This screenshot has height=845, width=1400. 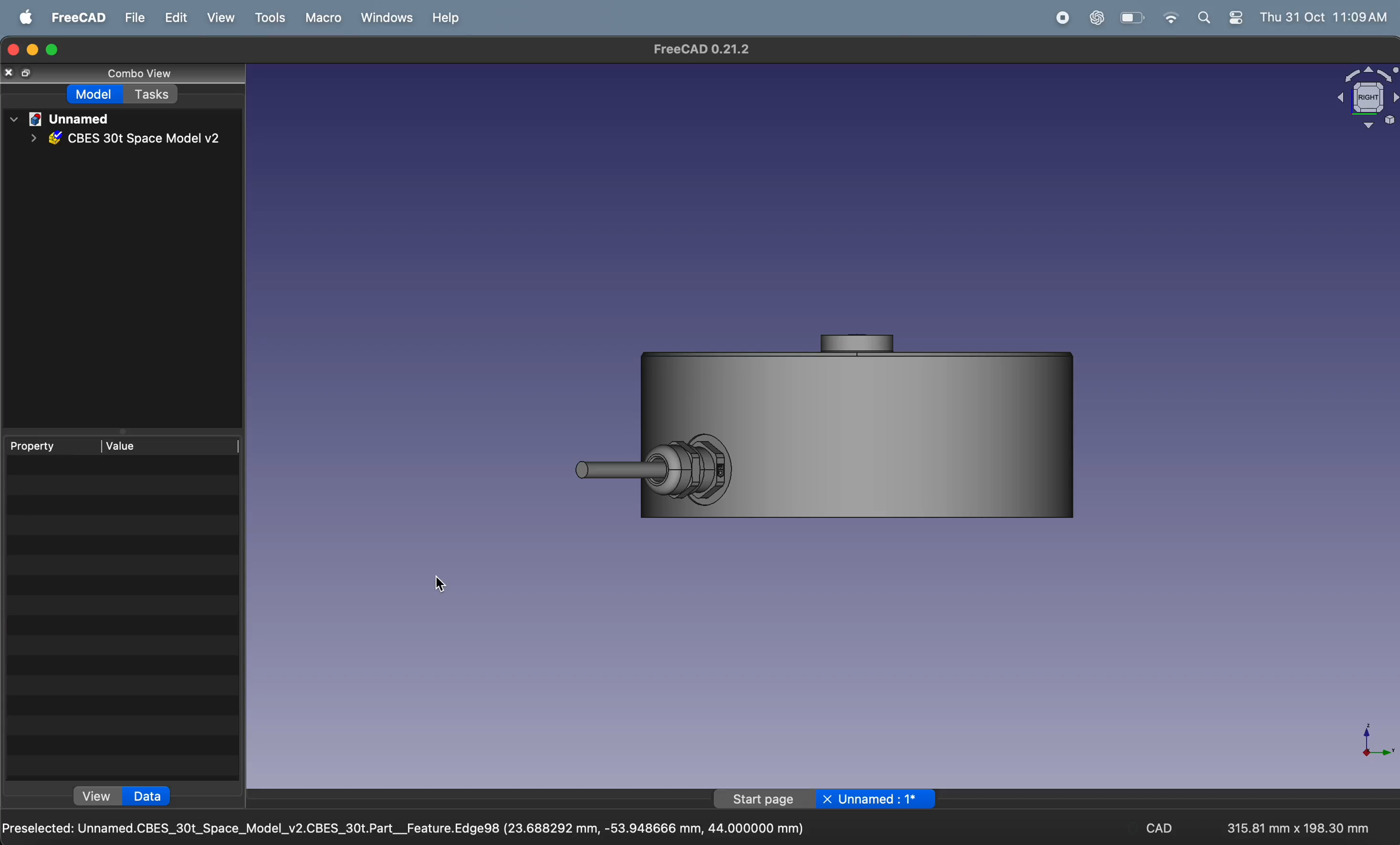 What do you see at coordinates (53, 49) in the screenshot?
I see `maximize` at bounding box center [53, 49].